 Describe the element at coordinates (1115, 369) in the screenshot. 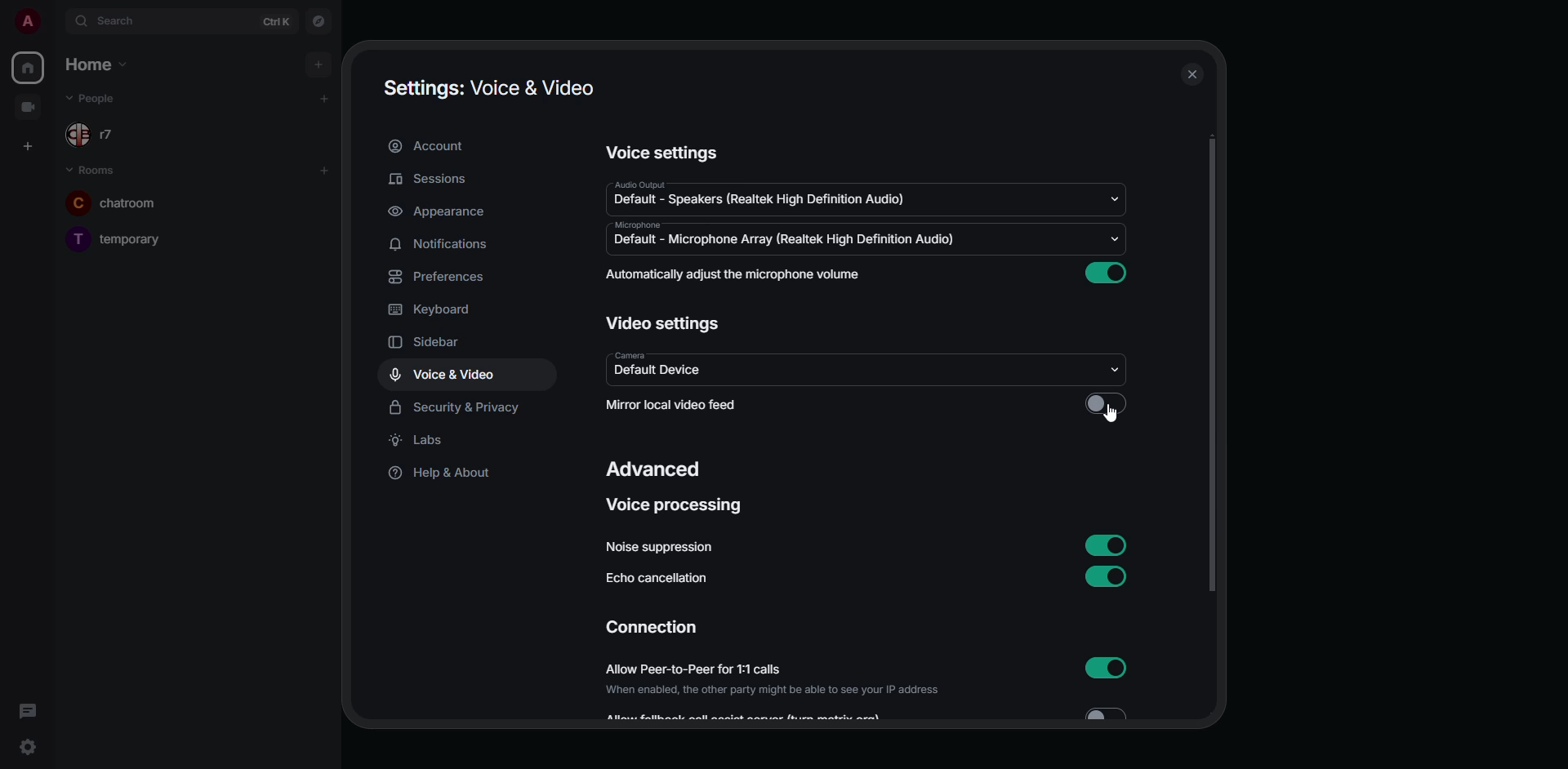

I see `drop down` at that location.